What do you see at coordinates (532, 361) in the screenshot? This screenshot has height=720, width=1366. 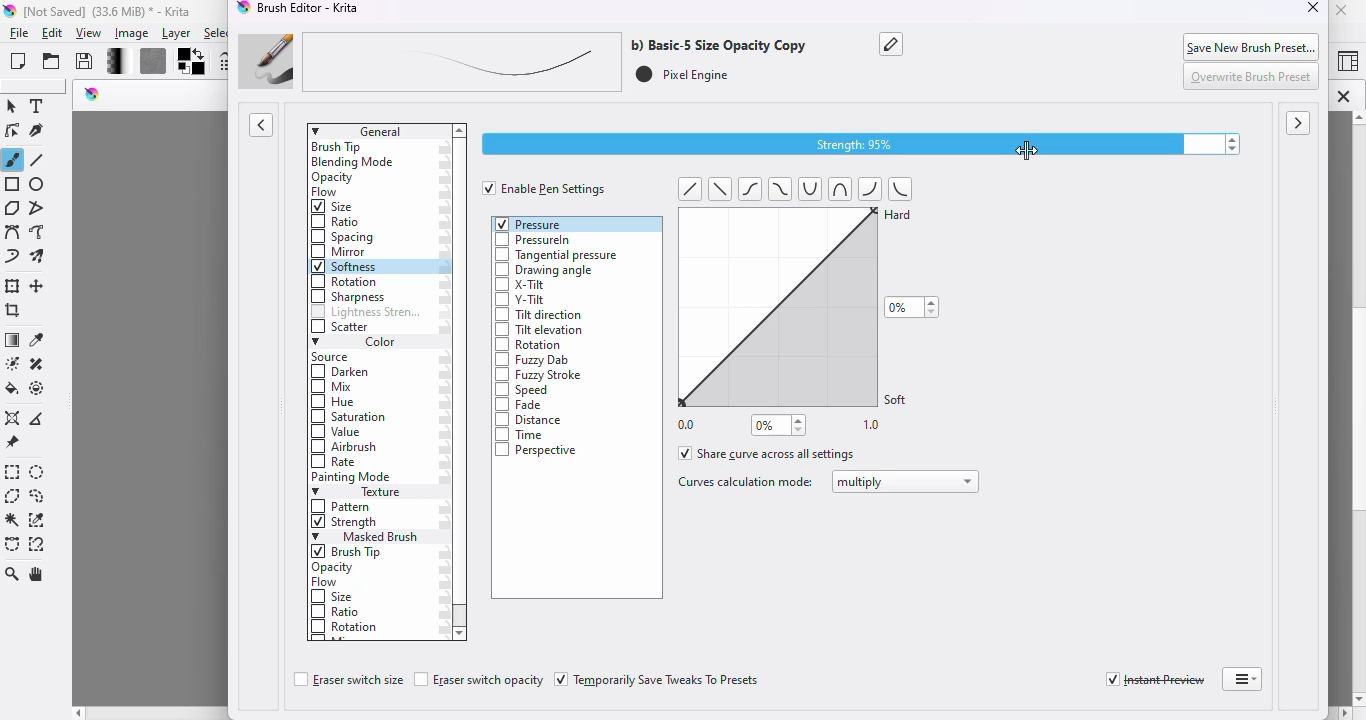 I see `fuzzy dab` at bounding box center [532, 361].